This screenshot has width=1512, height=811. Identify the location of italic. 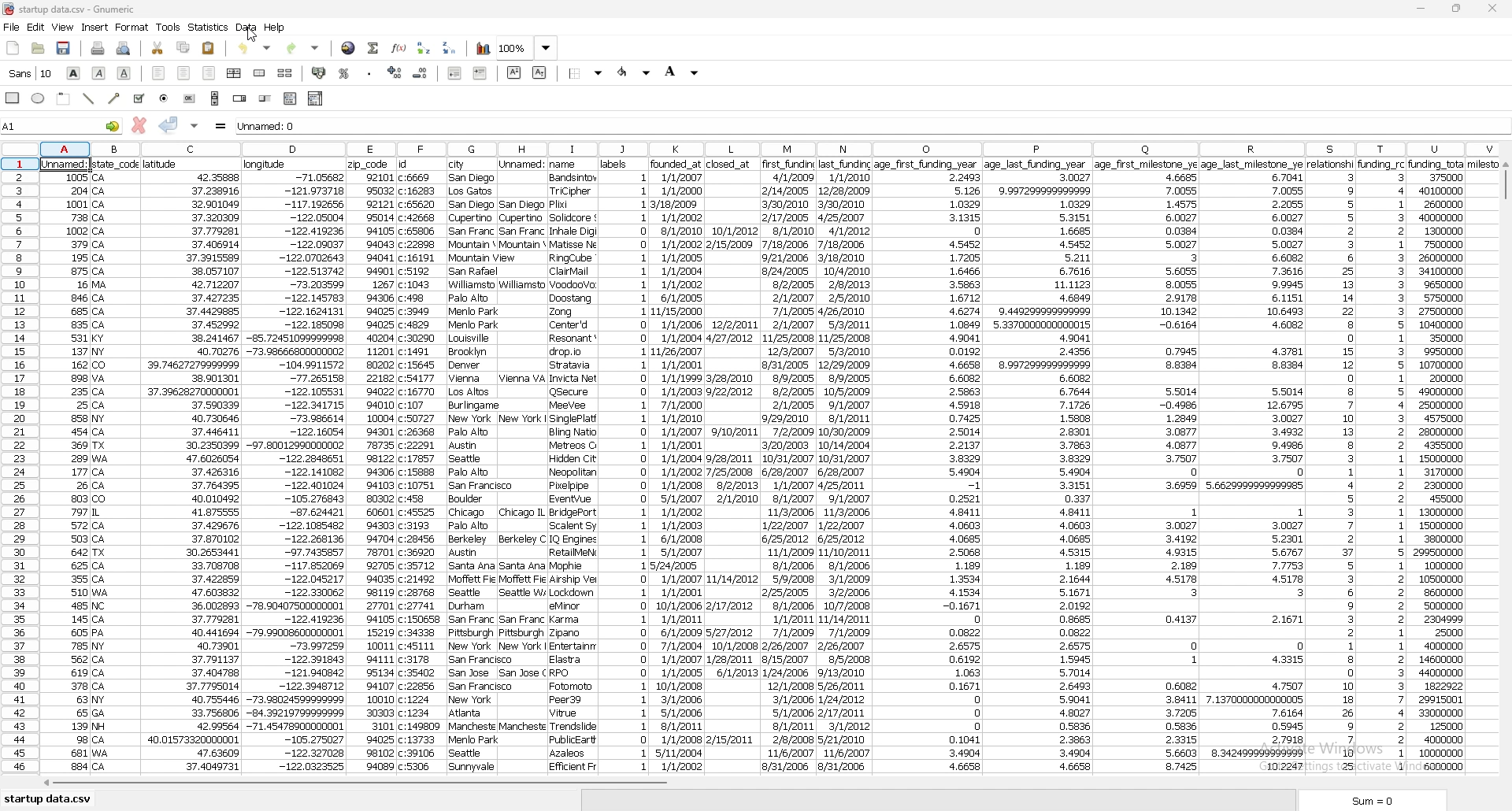
(99, 72).